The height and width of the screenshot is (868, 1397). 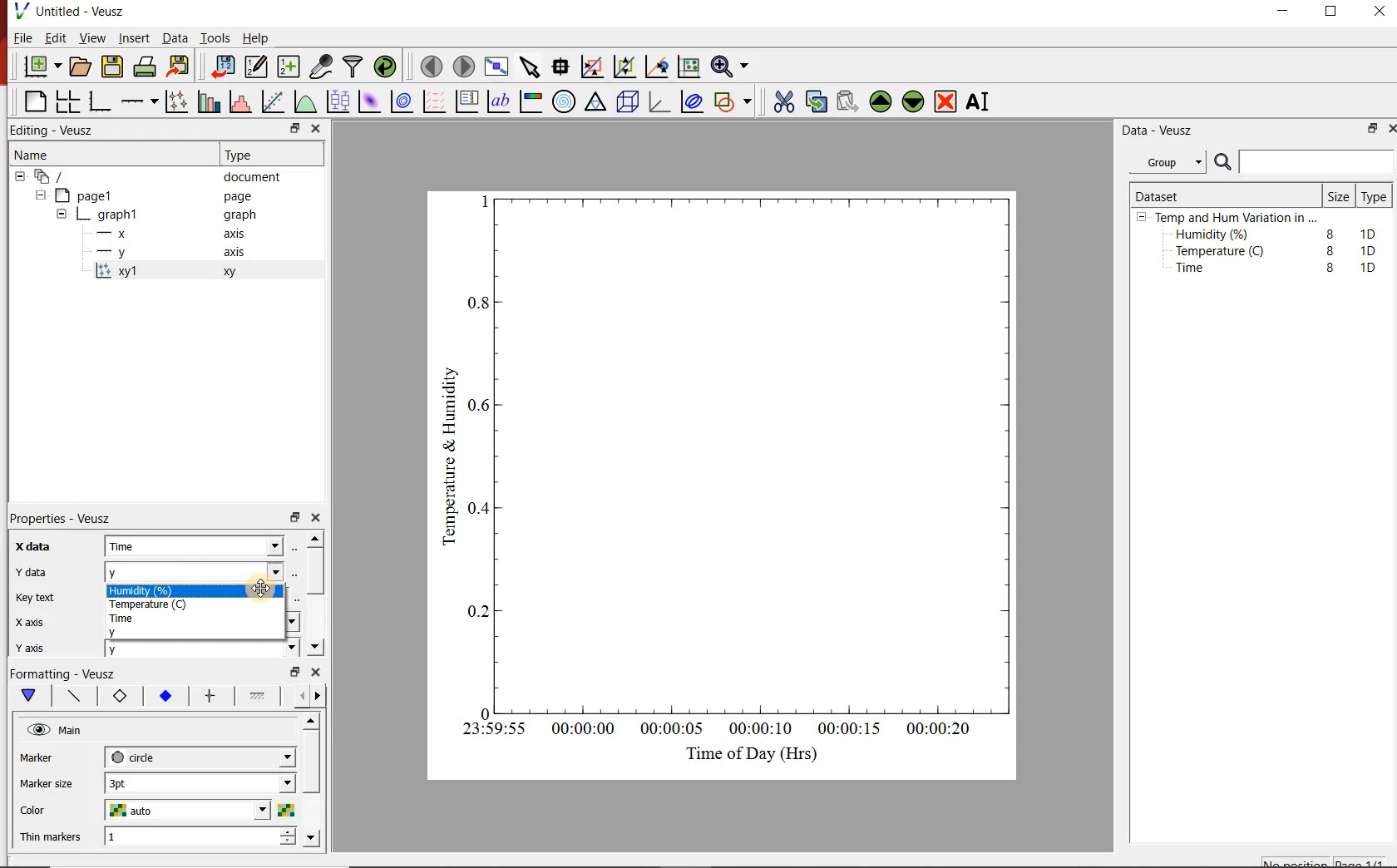 I want to click on open a document, so click(x=81, y=67).